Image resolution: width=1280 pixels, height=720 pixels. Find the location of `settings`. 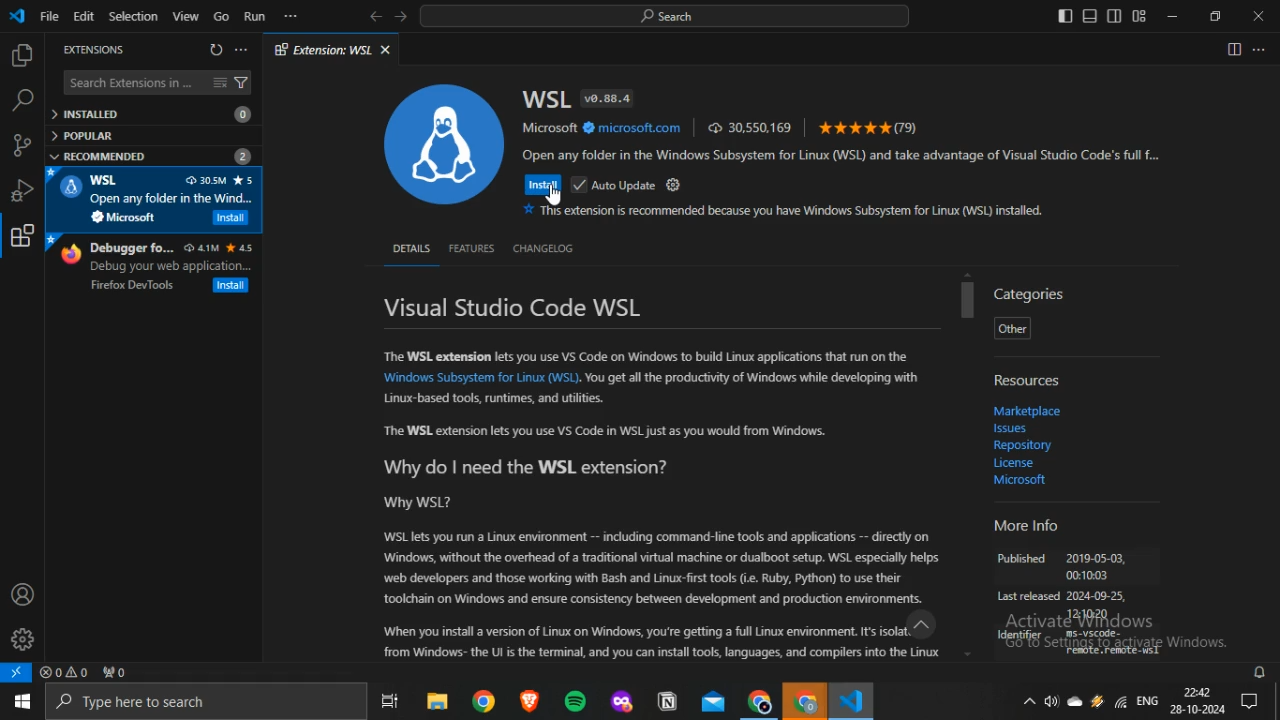

settings is located at coordinates (674, 184).